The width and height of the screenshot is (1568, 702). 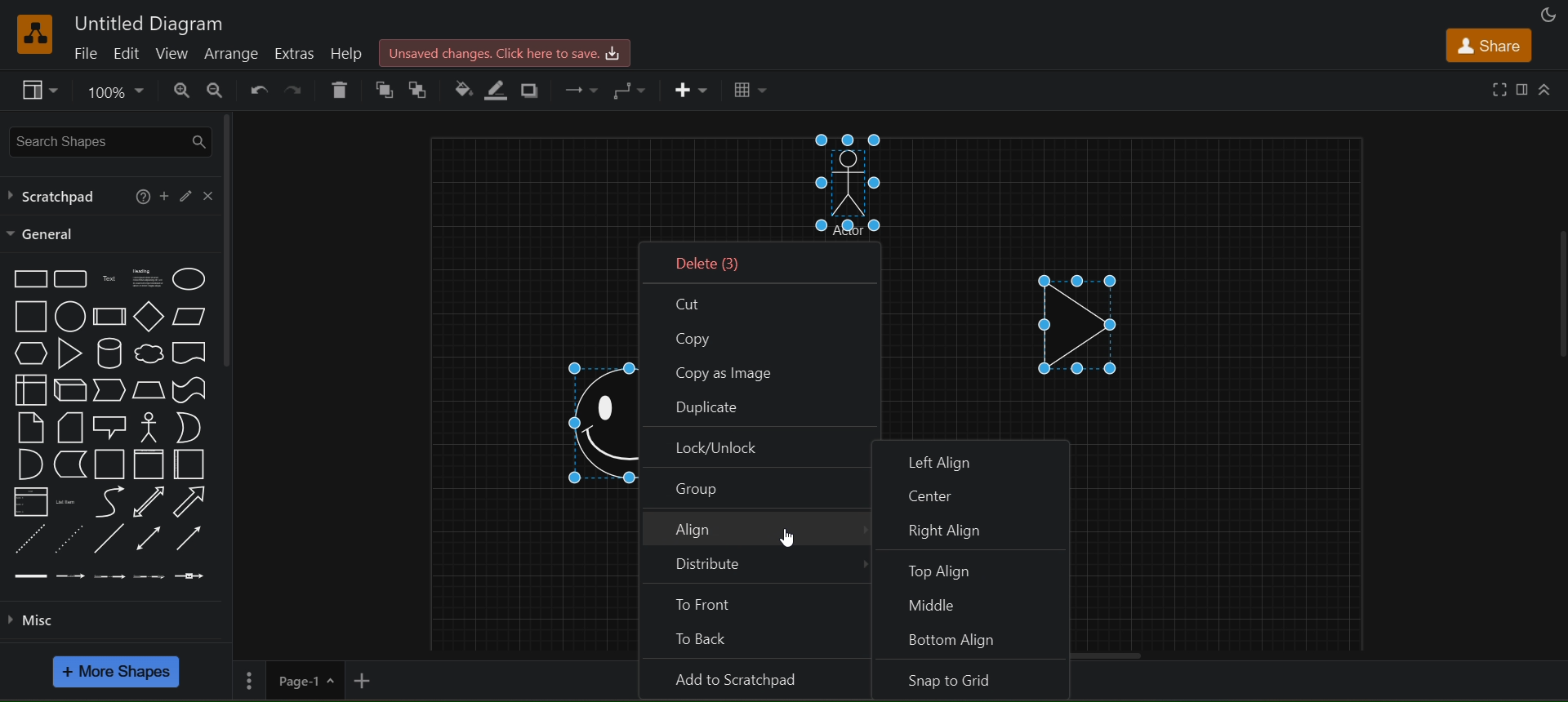 I want to click on directional connector, so click(x=193, y=539).